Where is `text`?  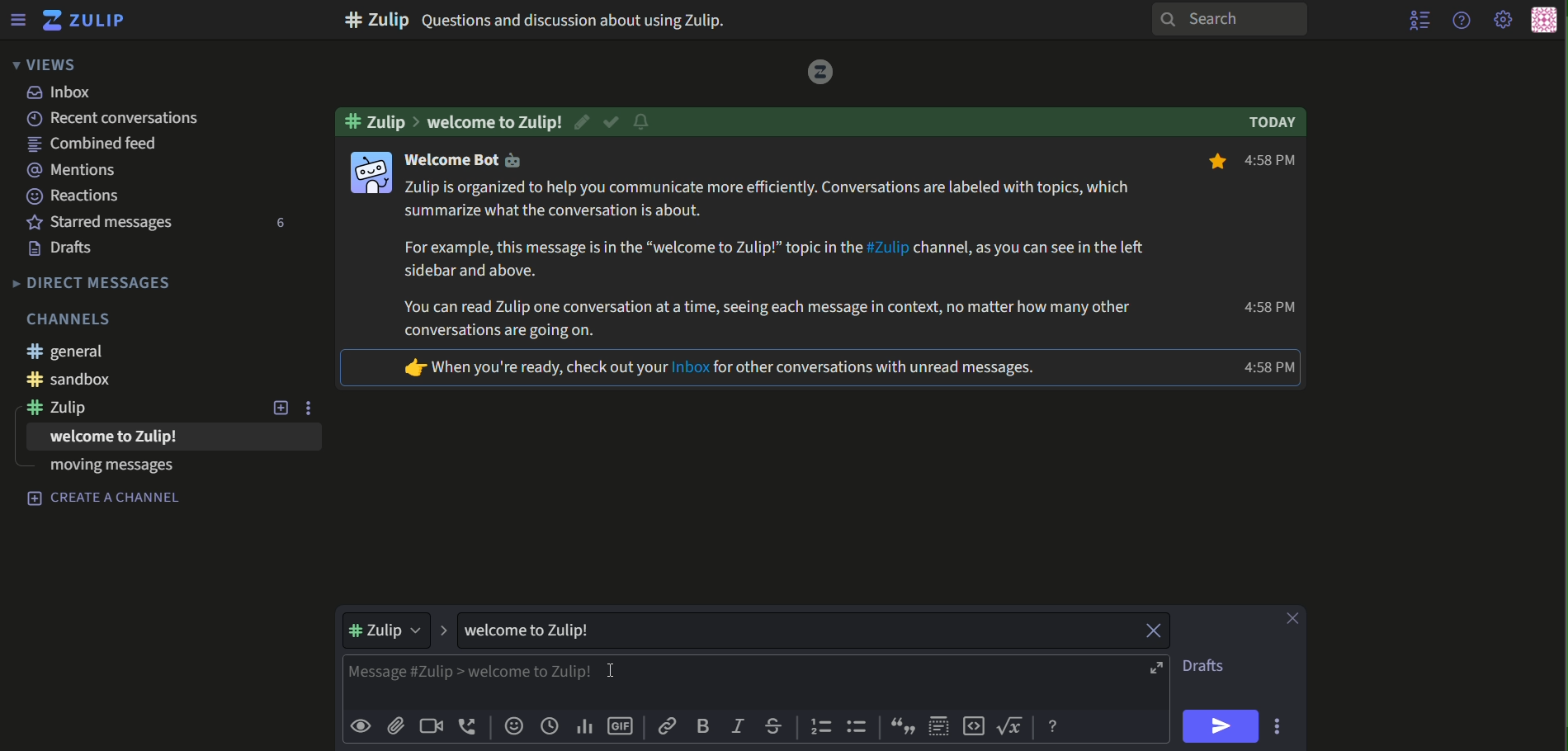
text is located at coordinates (102, 222).